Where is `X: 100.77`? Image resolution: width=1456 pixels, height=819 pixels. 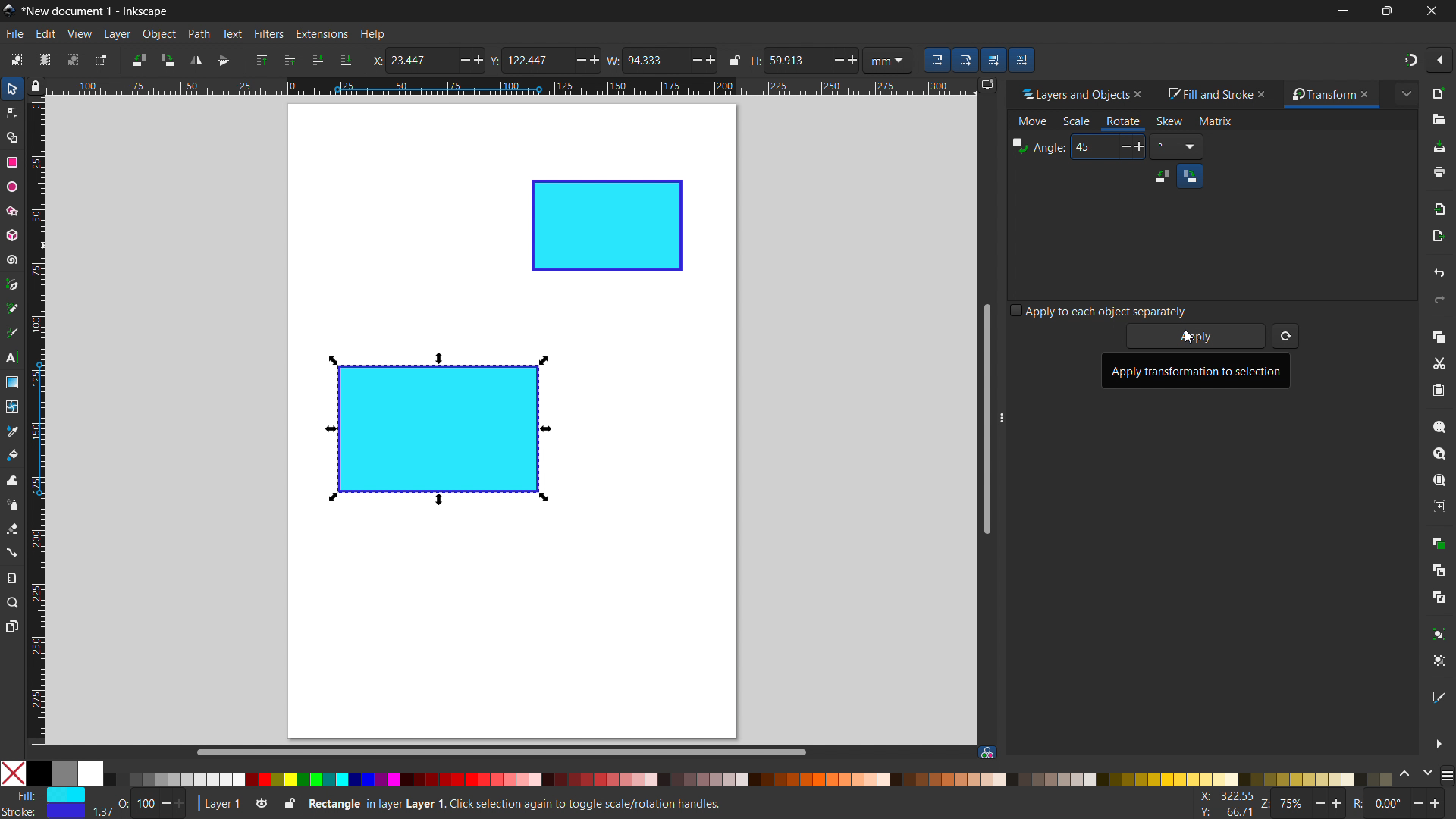 X: 100.77 is located at coordinates (1222, 797).